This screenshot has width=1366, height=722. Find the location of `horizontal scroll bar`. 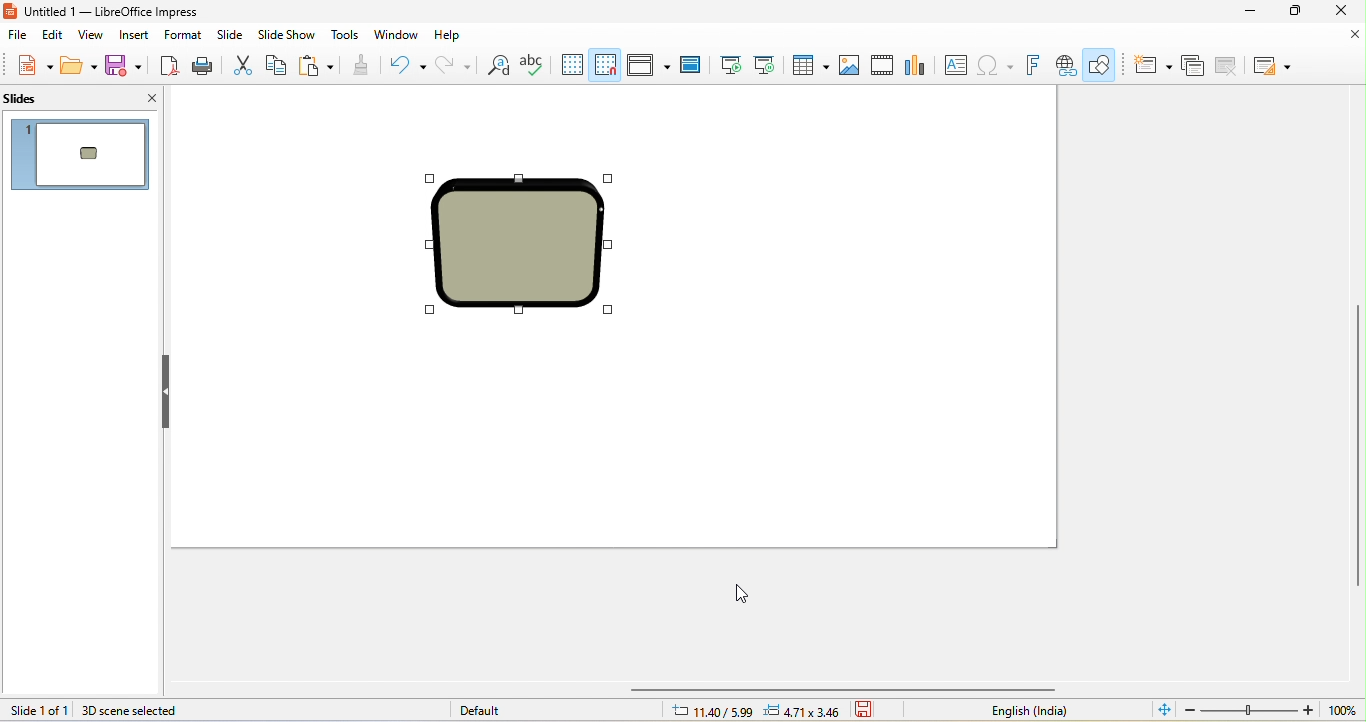

horizontal scroll bar is located at coordinates (848, 690).